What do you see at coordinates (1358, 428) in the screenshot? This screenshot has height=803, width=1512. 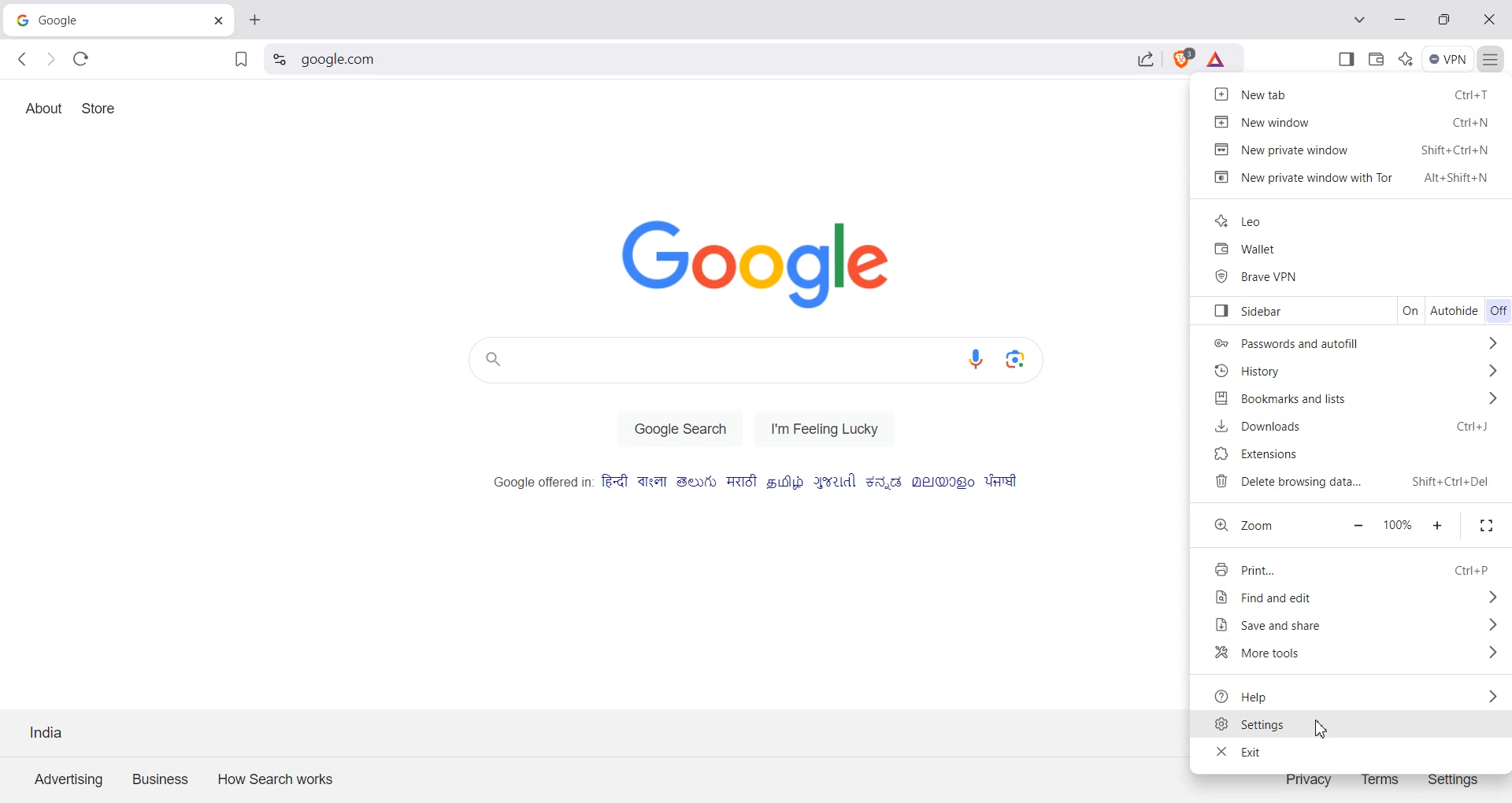 I see `Downloads` at bounding box center [1358, 428].